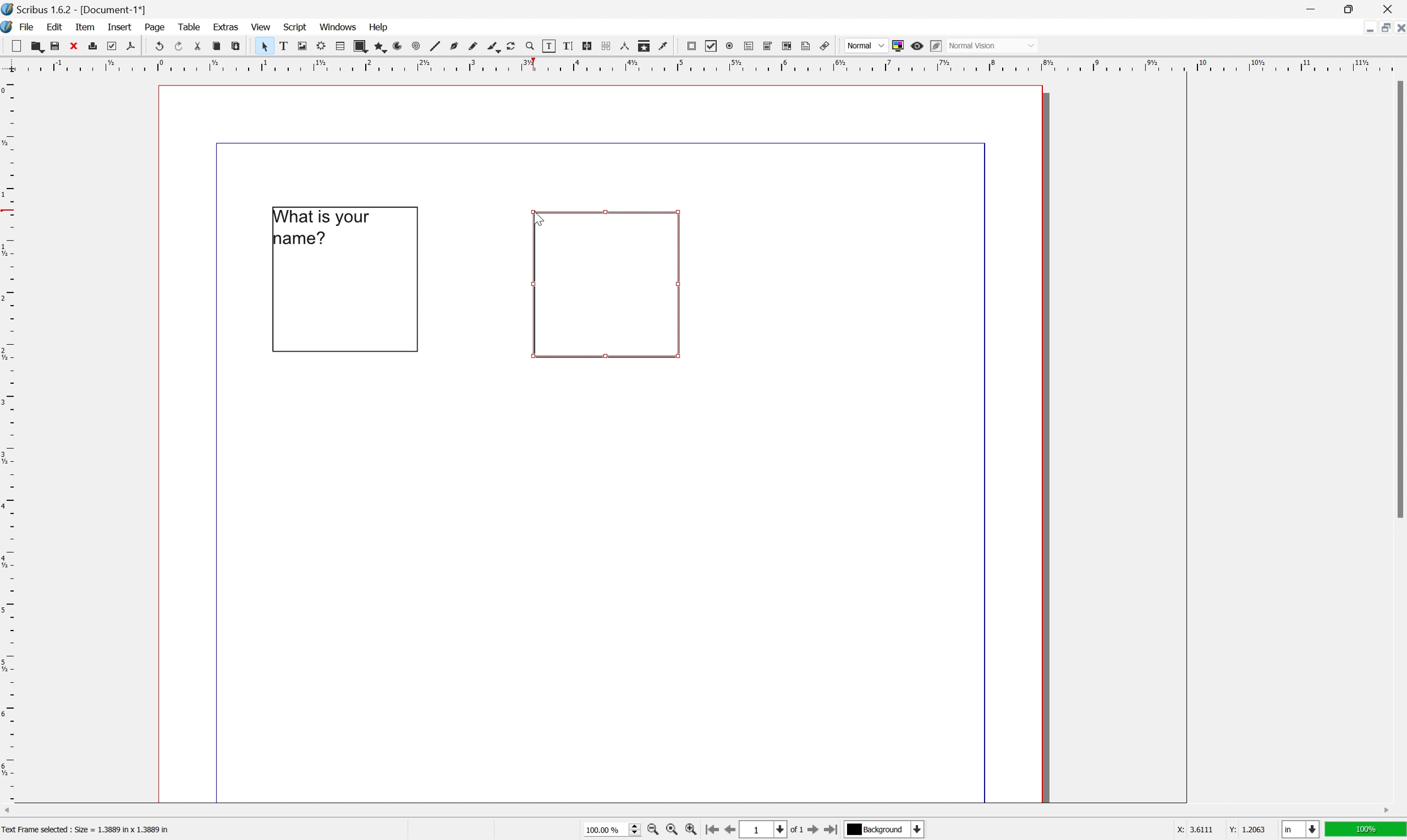  What do you see at coordinates (227, 26) in the screenshot?
I see `extras` at bounding box center [227, 26].